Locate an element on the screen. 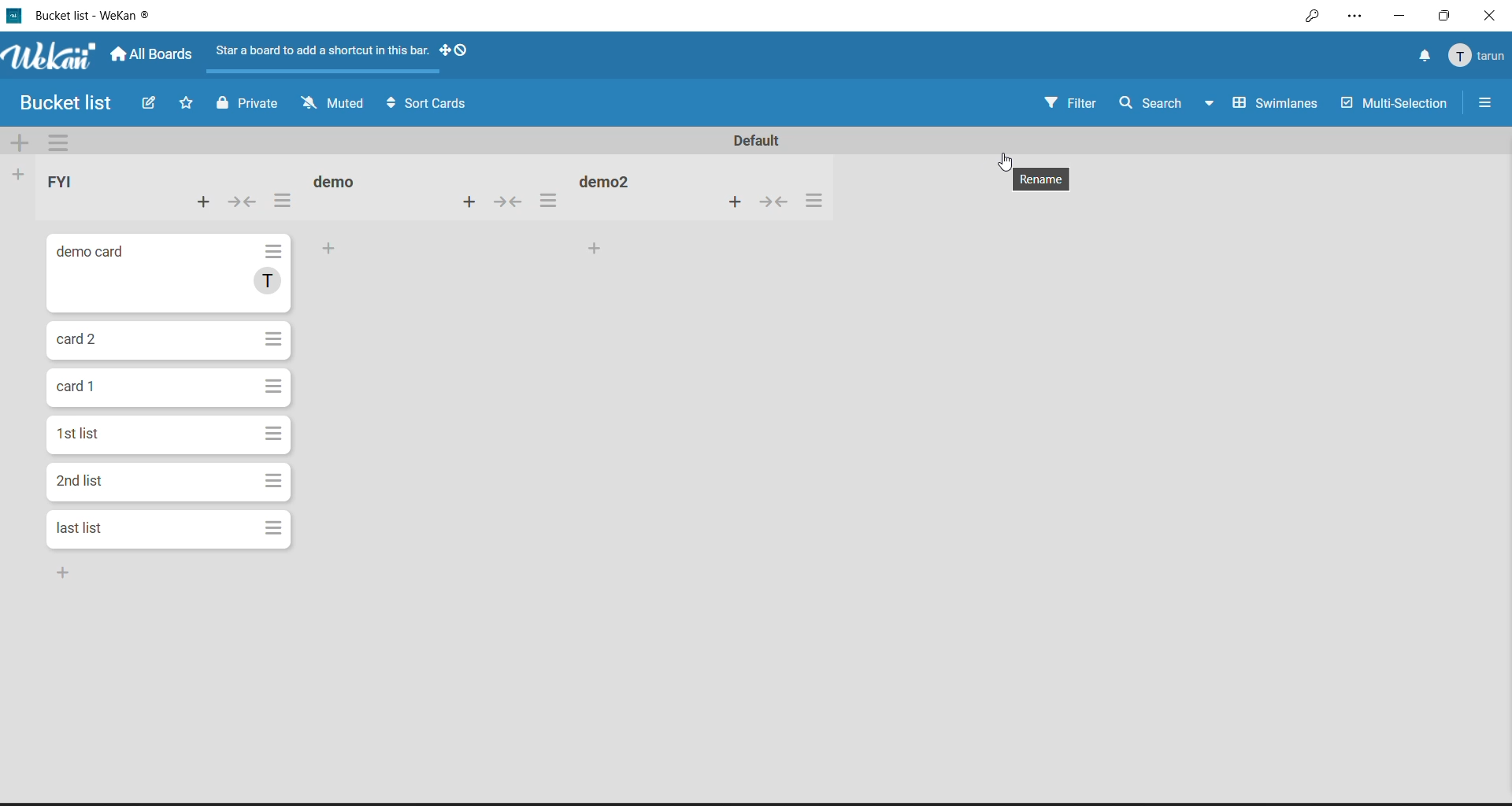 The width and height of the screenshot is (1512, 806). card actions is located at coordinates (273, 385).